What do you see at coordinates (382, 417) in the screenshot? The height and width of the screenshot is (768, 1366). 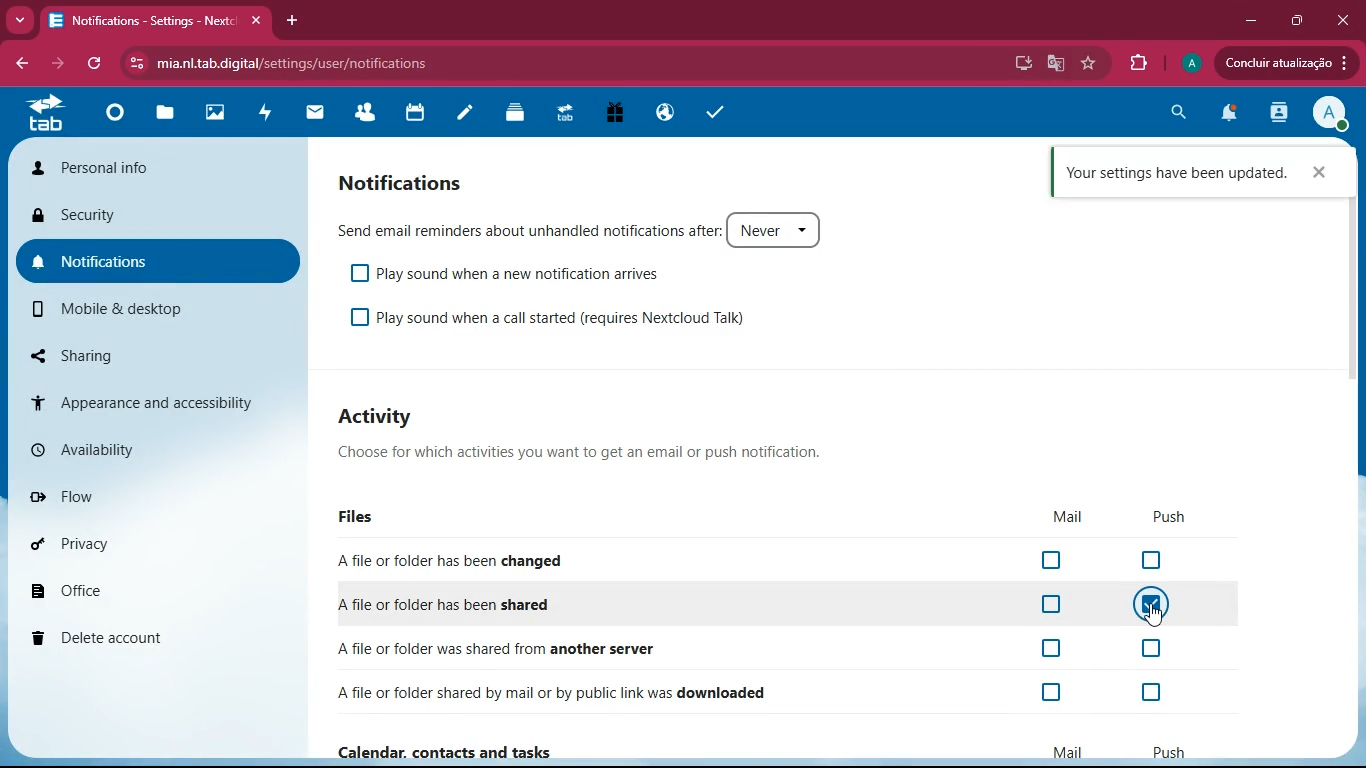 I see `activity` at bounding box center [382, 417].